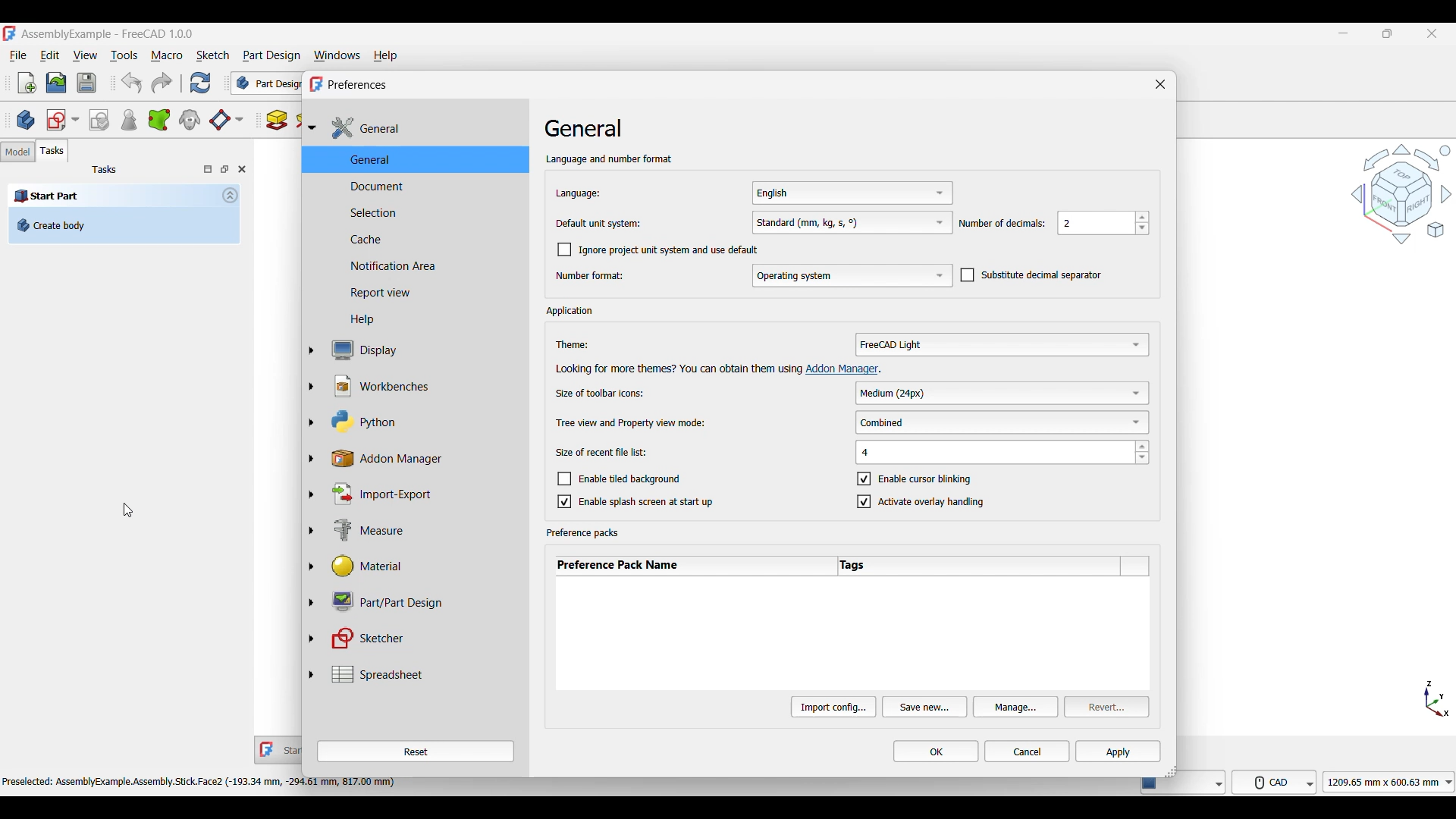 This screenshot has height=819, width=1456. What do you see at coordinates (422, 350) in the screenshot?
I see `Display` at bounding box center [422, 350].